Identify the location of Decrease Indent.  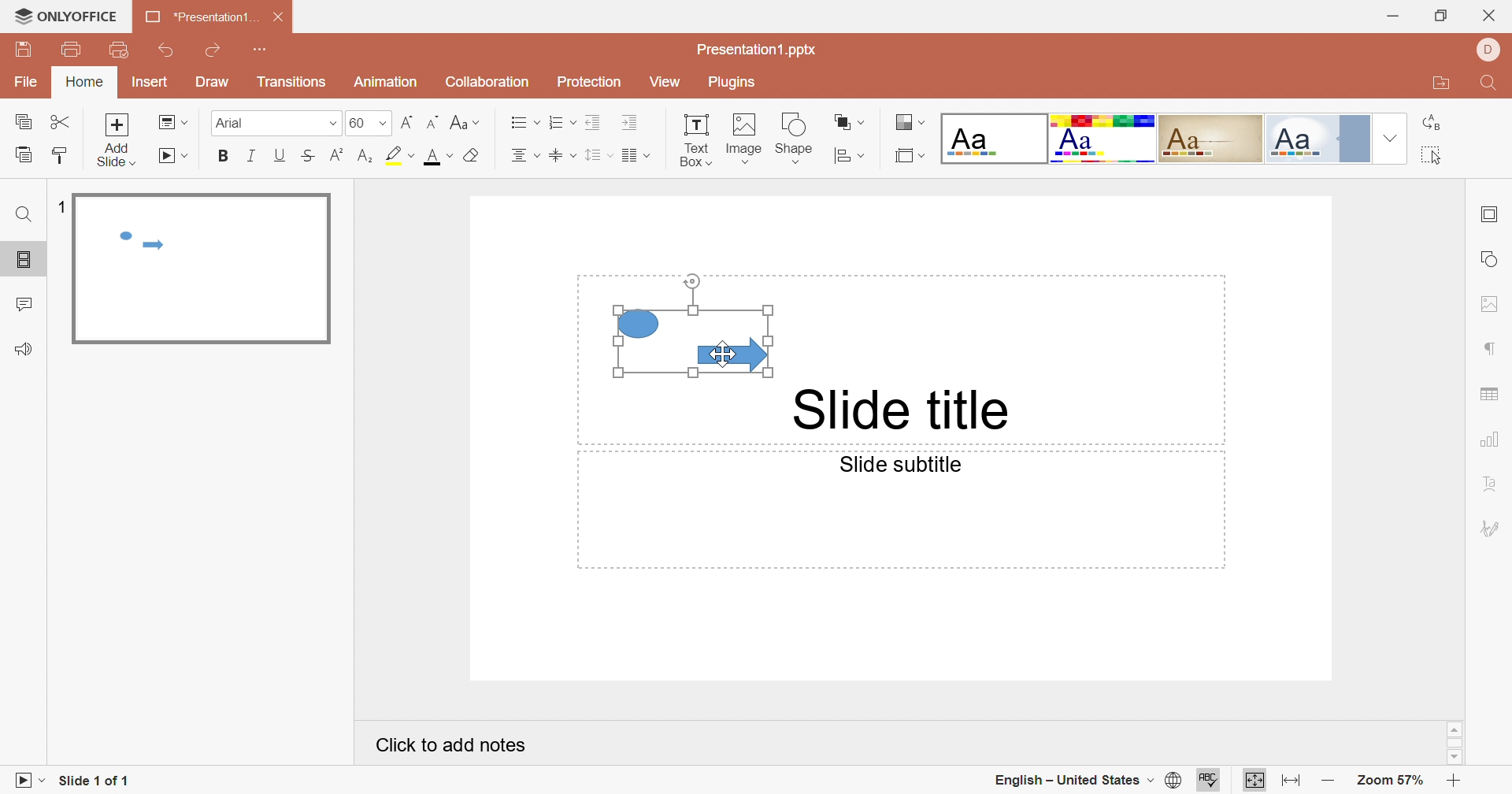
(591, 122).